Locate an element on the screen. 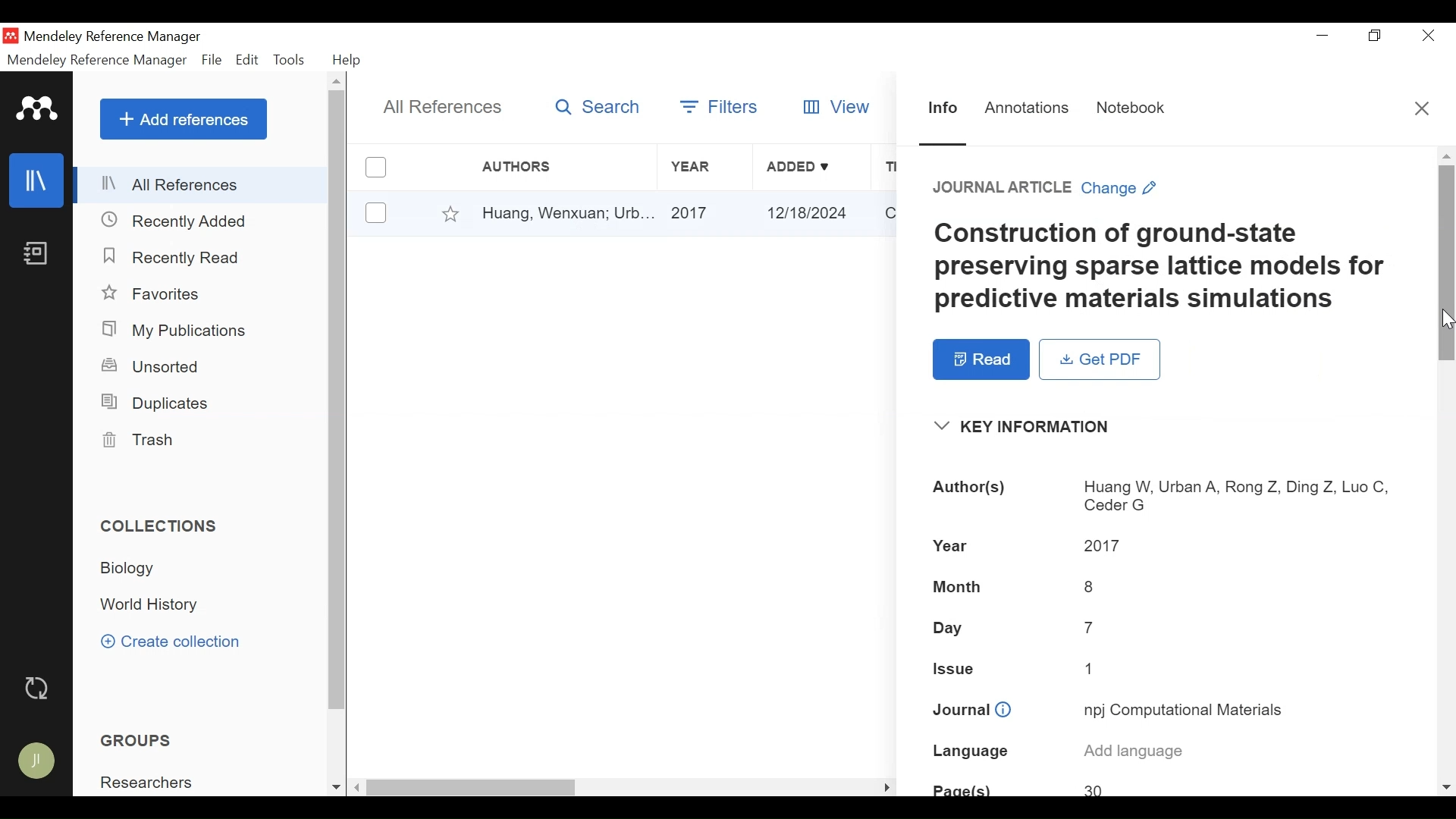  Vertical Scroll bar is located at coordinates (472, 788).